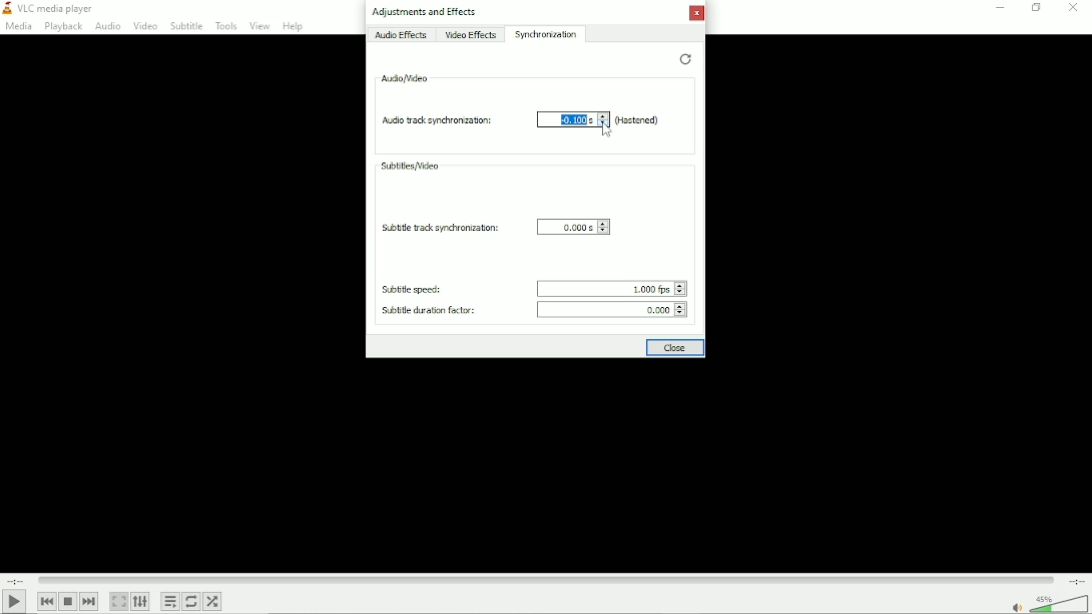  Describe the element at coordinates (17, 579) in the screenshot. I see `Elapsed time` at that location.